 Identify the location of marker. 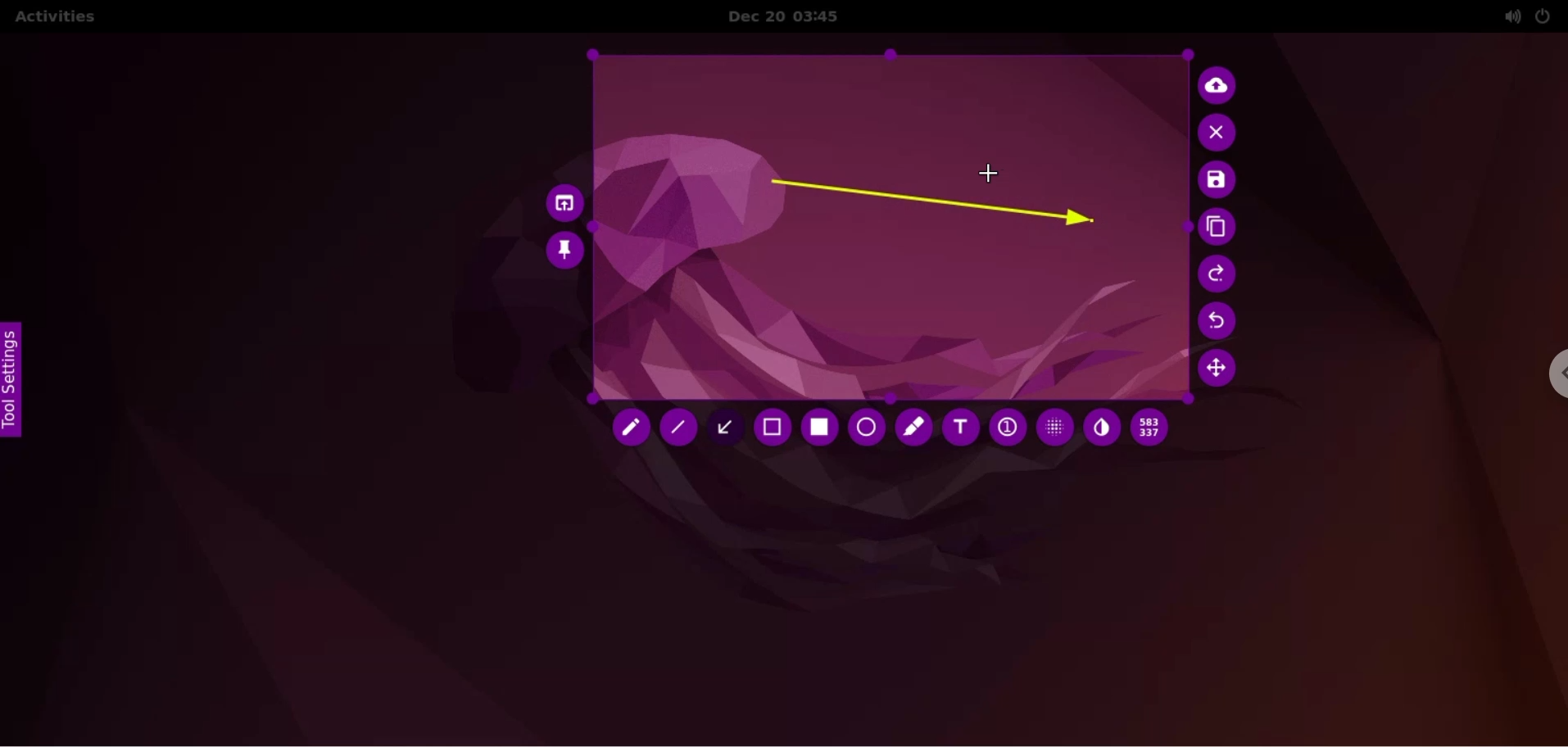
(913, 427).